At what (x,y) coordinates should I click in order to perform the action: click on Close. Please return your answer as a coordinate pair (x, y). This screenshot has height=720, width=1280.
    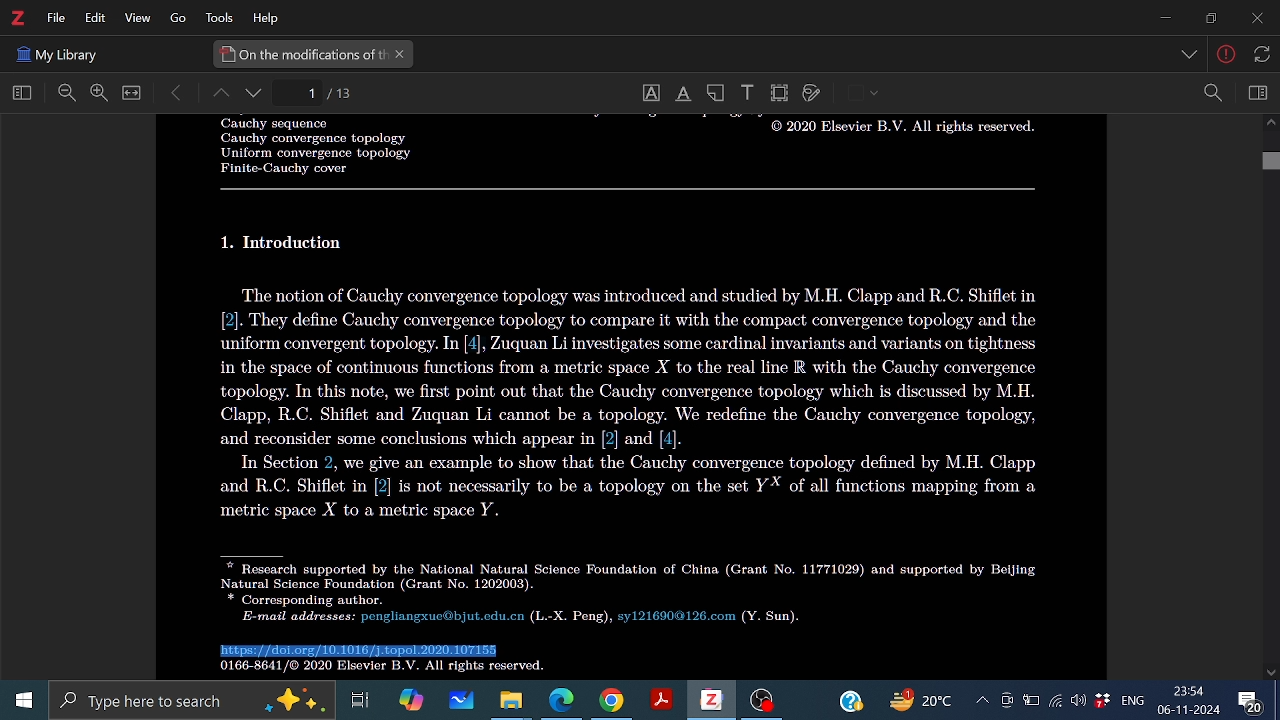
    Looking at the image, I should click on (1255, 20).